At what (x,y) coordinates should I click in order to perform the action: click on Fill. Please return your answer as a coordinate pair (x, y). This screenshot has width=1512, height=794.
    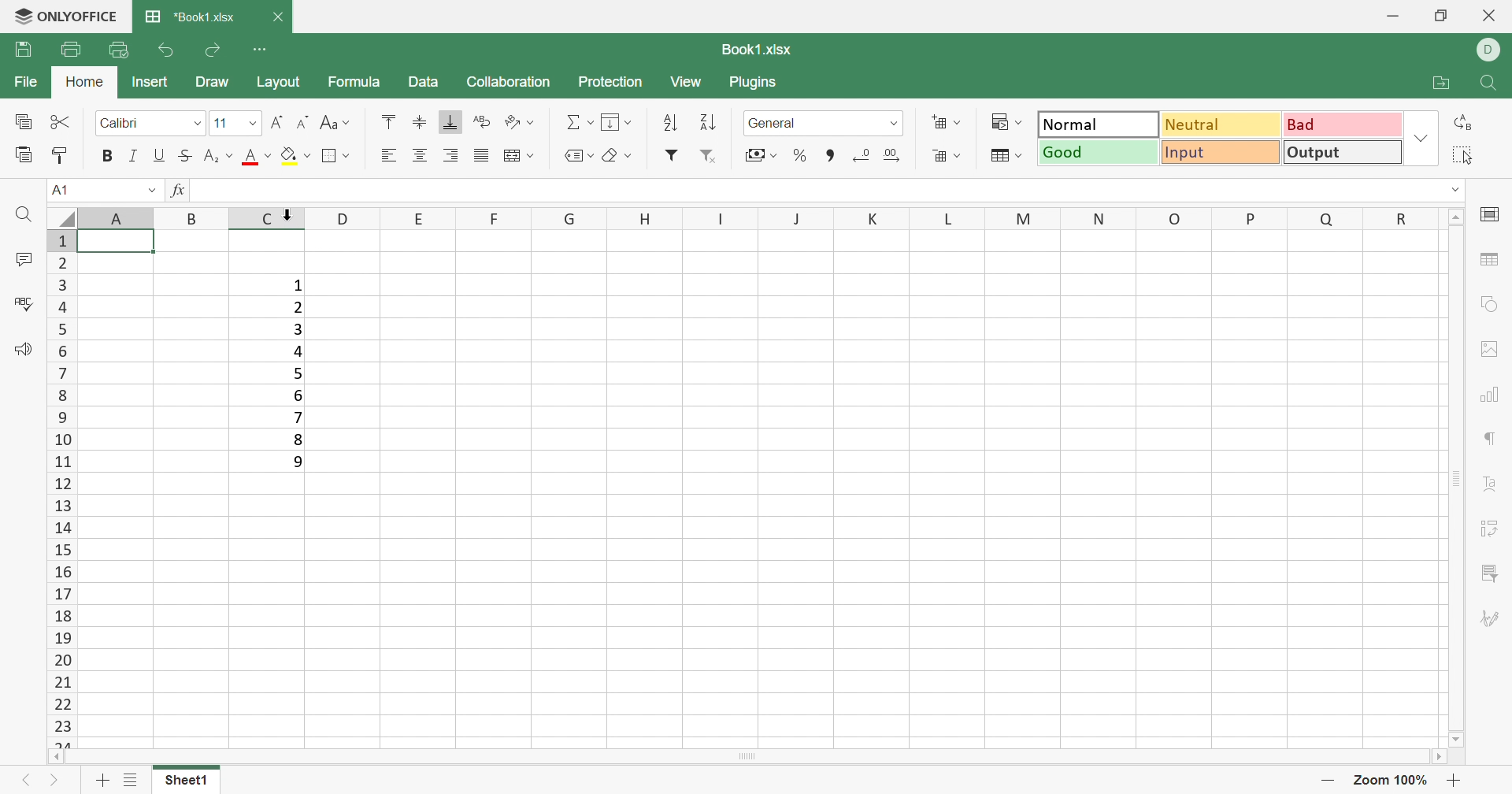
    Looking at the image, I should click on (617, 121).